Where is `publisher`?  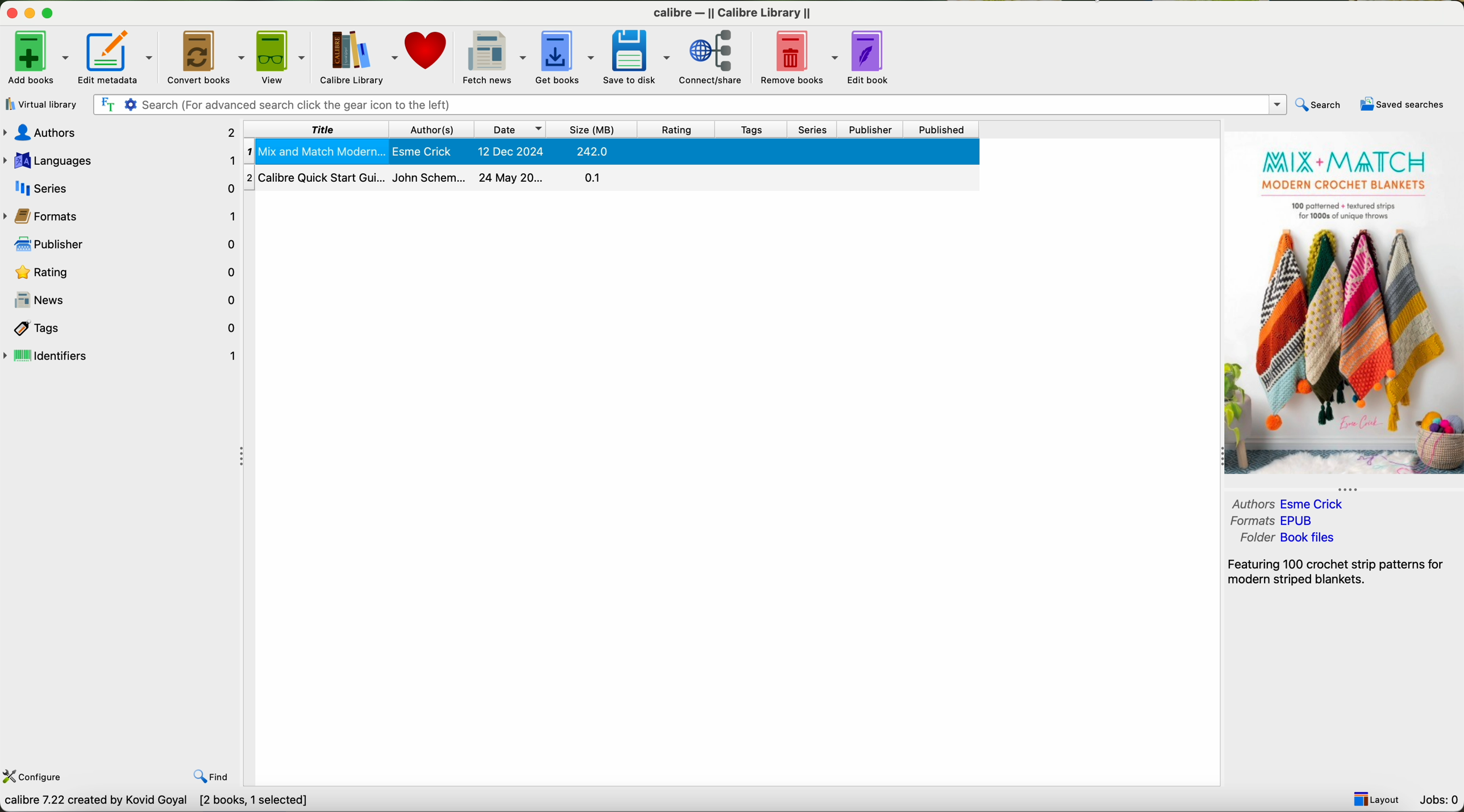
publisher is located at coordinates (870, 130).